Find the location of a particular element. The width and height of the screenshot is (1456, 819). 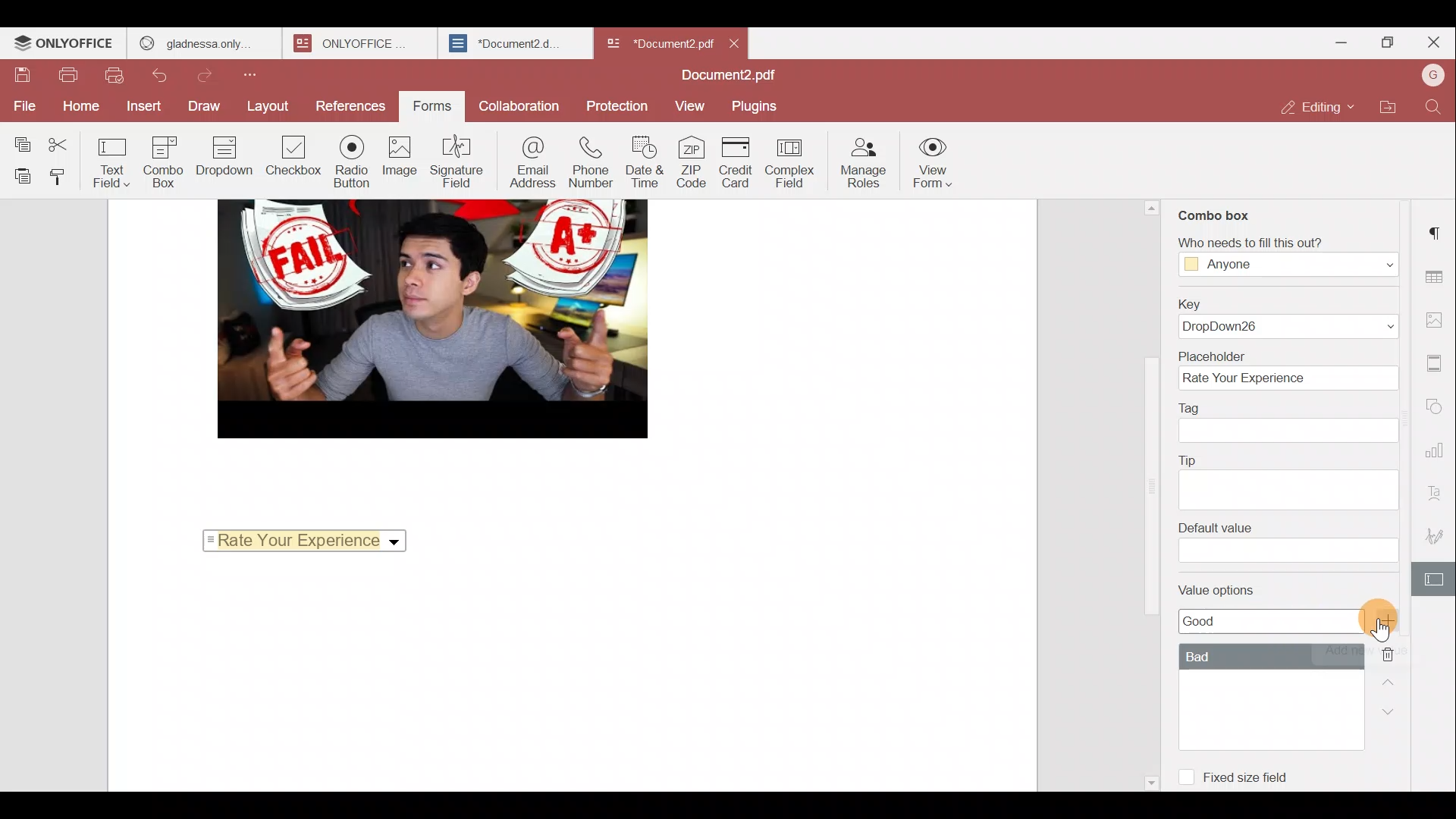

*Document2.d. is located at coordinates (505, 41).